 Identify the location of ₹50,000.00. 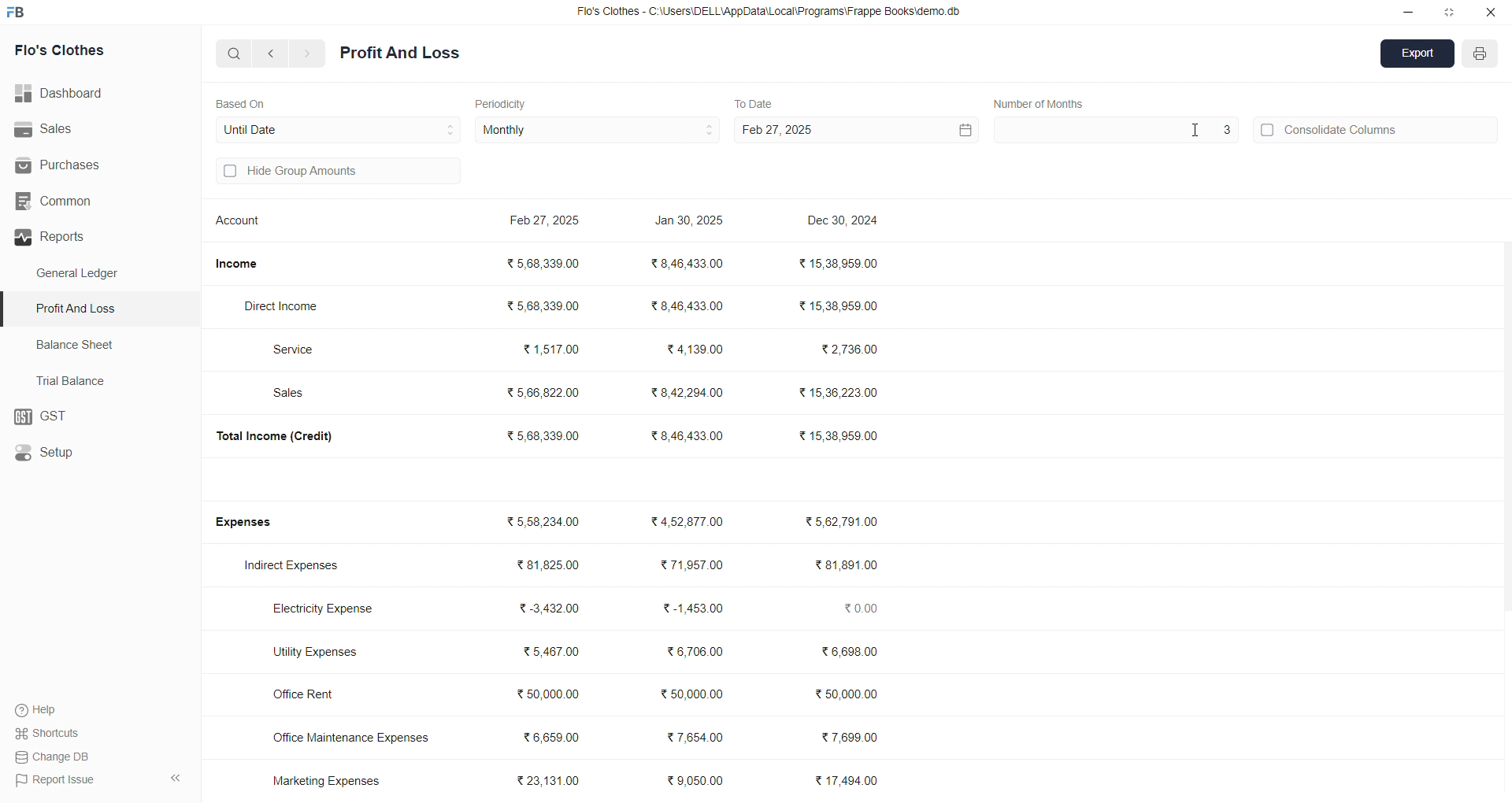
(849, 696).